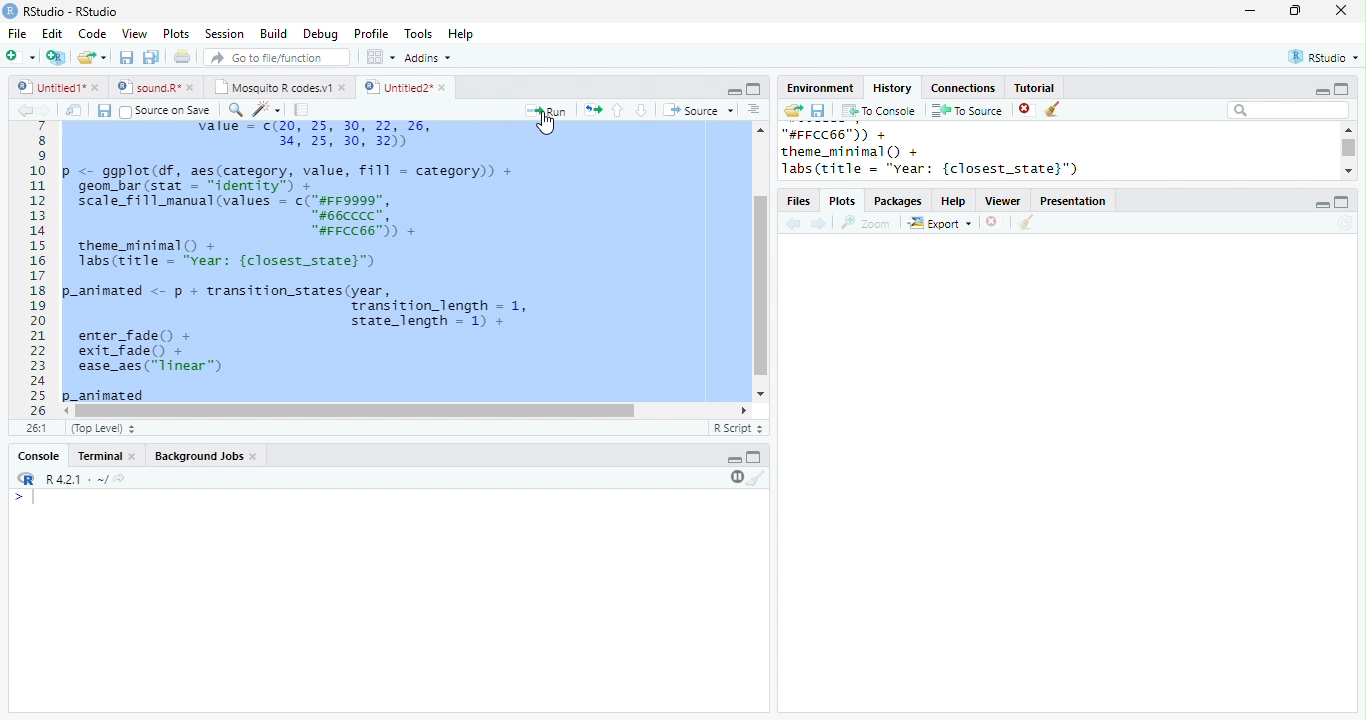 The height and width of the screenshot is (720, 1366). I want to click on Console, so click(38, 456).